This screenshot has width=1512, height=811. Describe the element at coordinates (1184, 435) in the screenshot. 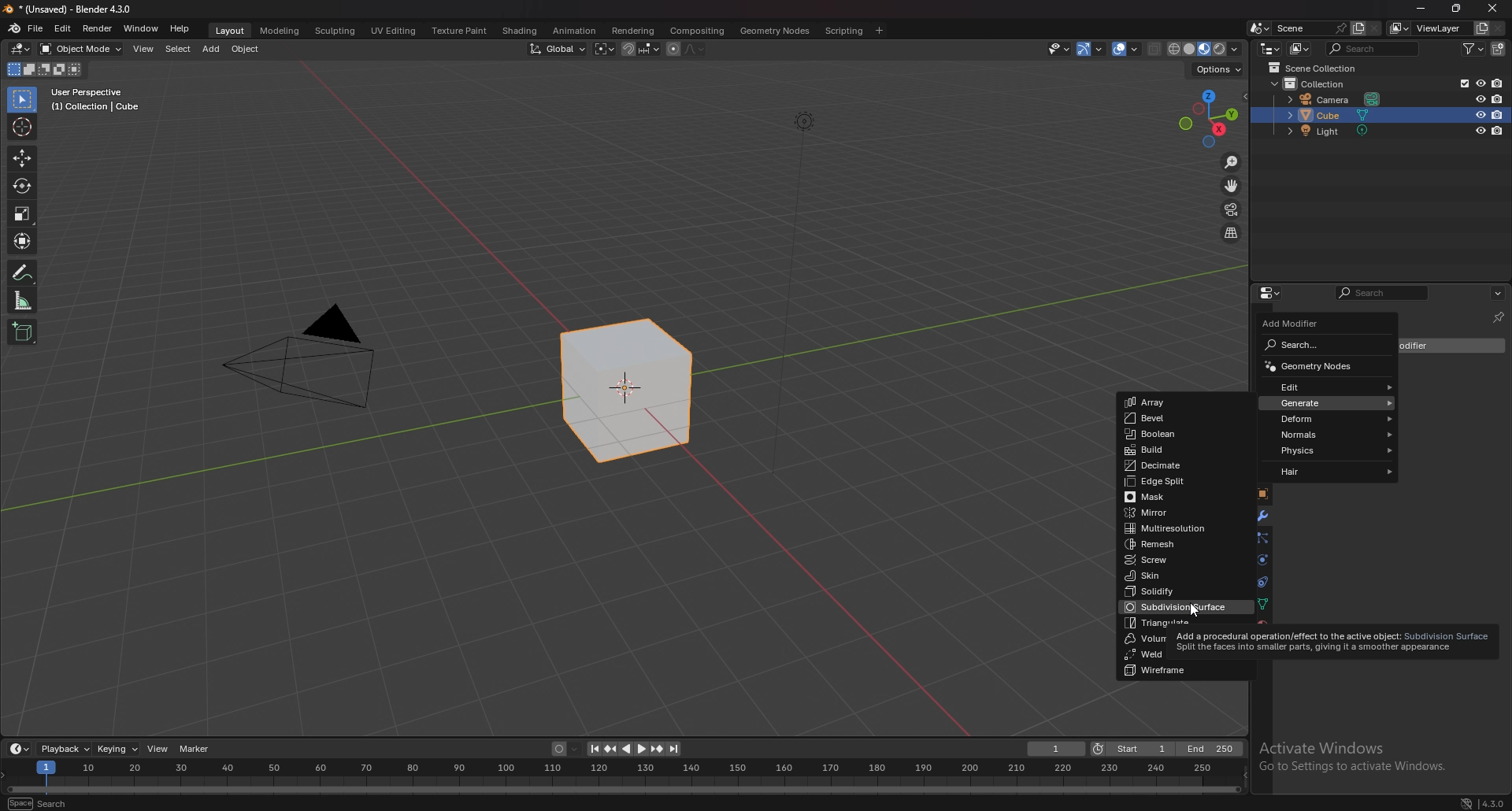

I see `boolean` at that location.